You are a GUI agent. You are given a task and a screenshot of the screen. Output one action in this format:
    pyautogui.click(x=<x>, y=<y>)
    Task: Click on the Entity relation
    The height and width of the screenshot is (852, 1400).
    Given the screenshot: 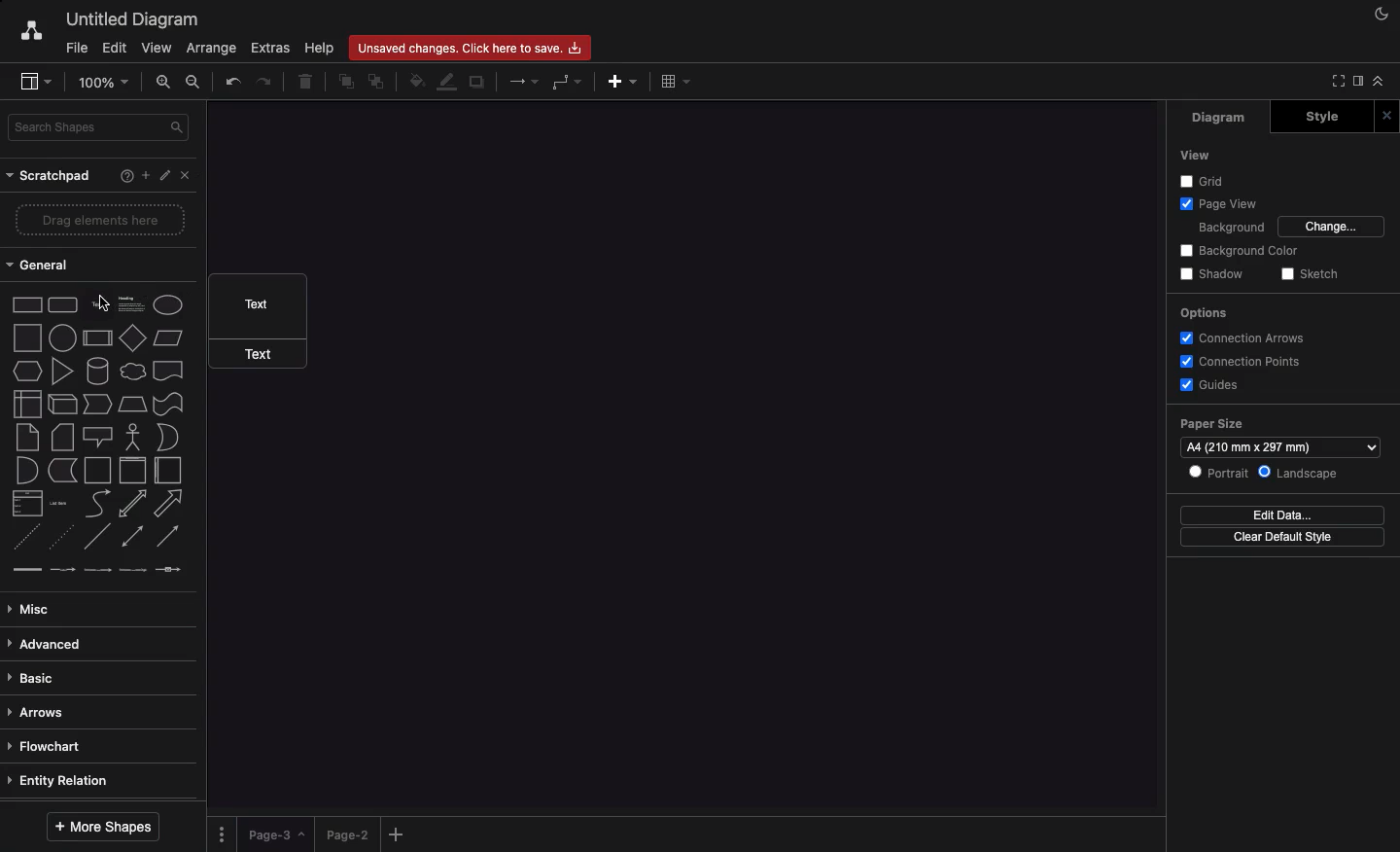 What is the action you would take?
    pyautogui.click(x=61, y=782)
    